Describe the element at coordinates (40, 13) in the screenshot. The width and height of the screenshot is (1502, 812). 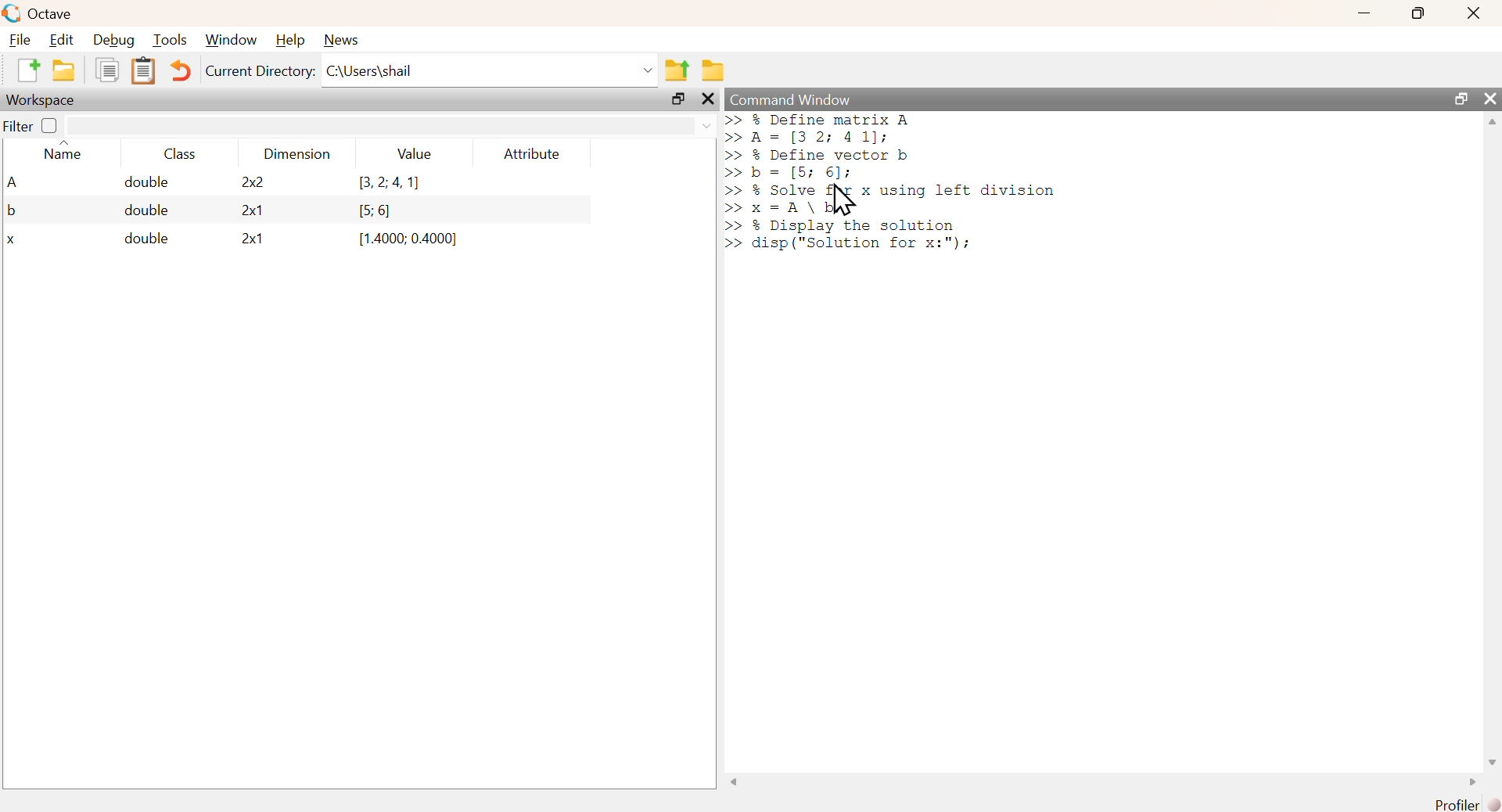
I see `octave` at that location.